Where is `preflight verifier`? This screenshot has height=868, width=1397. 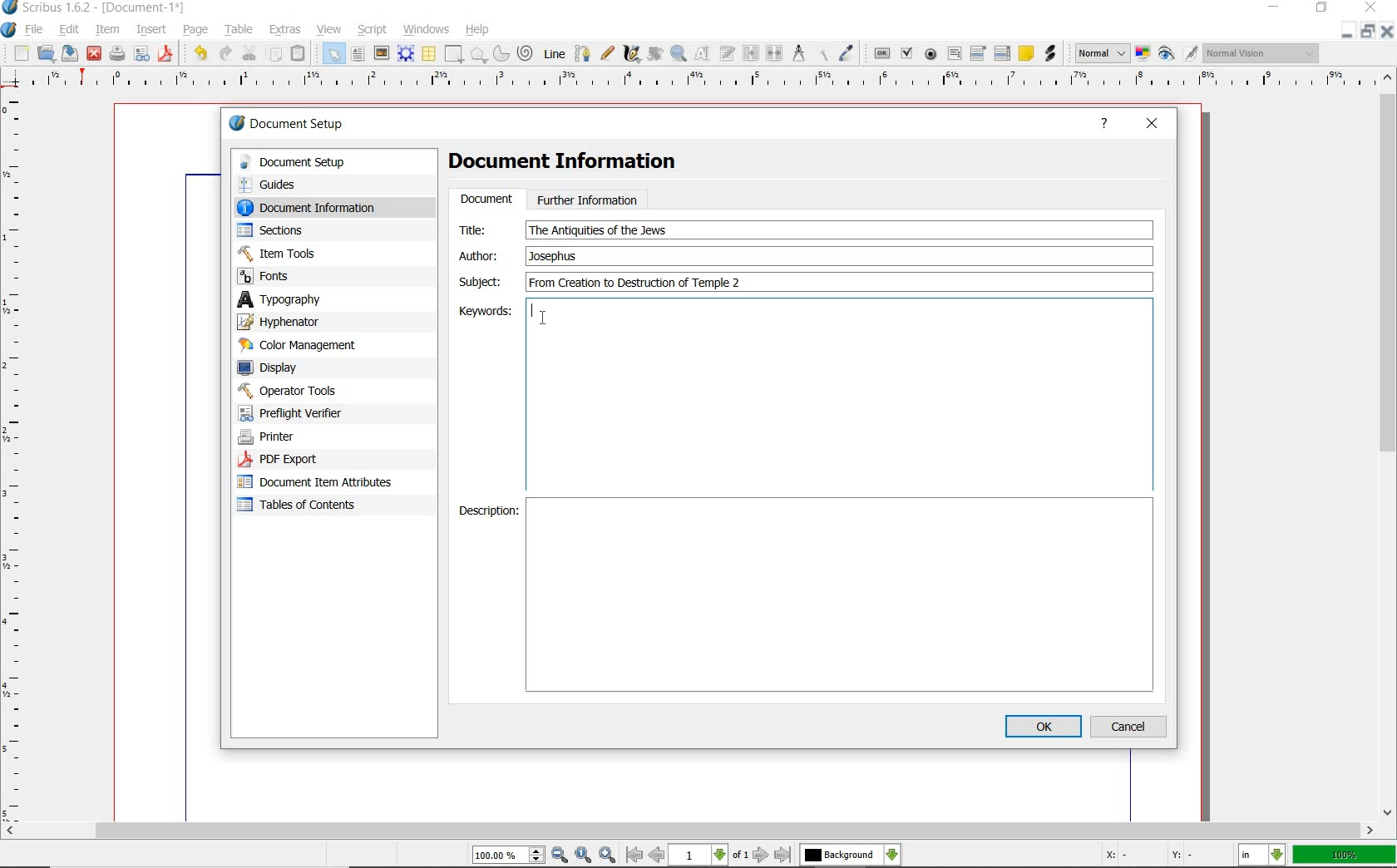 preflight verifier is located at coordinates (300, 413).